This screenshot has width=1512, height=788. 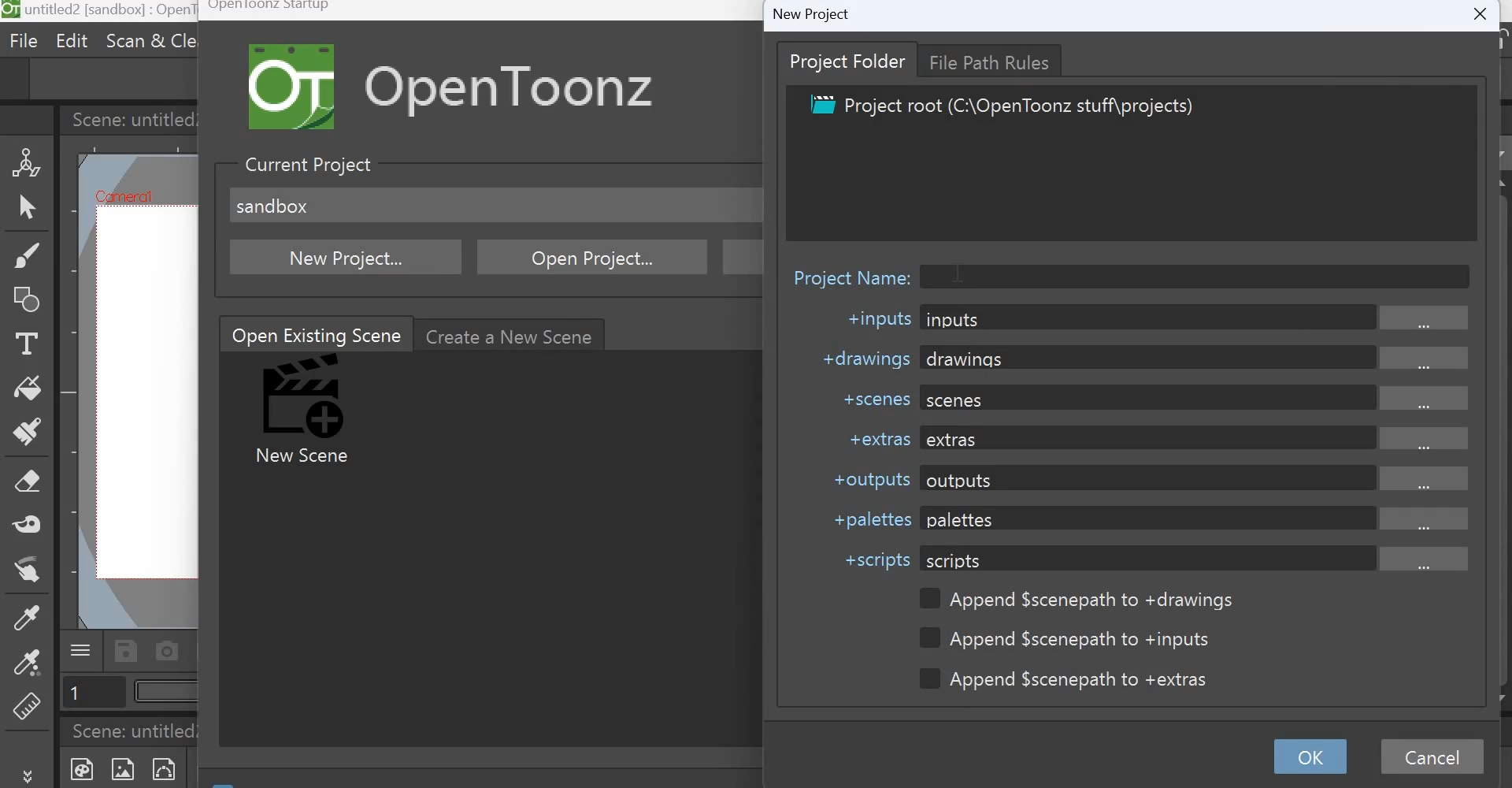 I want to click on New Project, so click(x=811, y=13).